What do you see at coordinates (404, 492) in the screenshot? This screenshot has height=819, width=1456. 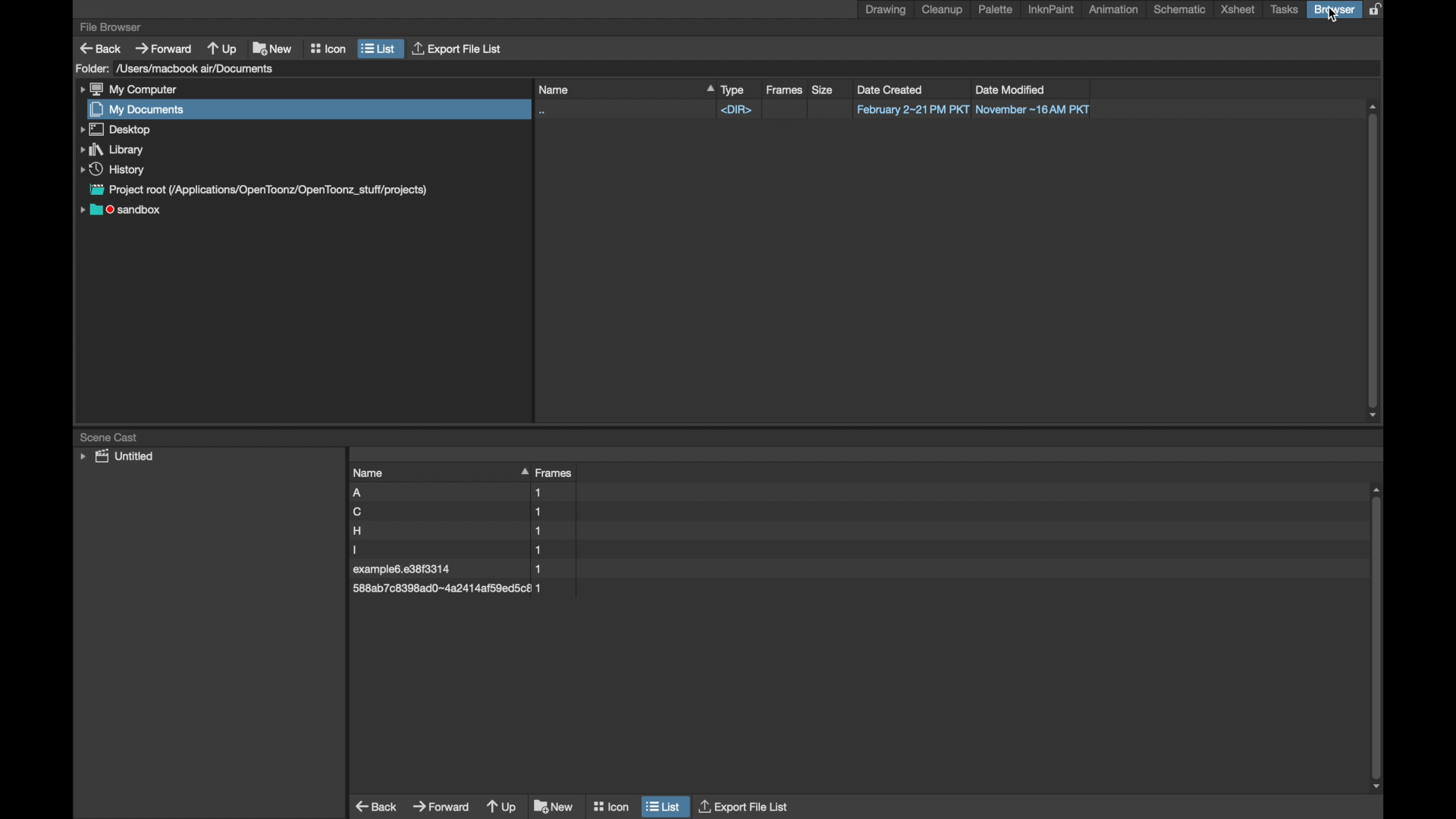 I see `A` at bounding box center [404, 492].